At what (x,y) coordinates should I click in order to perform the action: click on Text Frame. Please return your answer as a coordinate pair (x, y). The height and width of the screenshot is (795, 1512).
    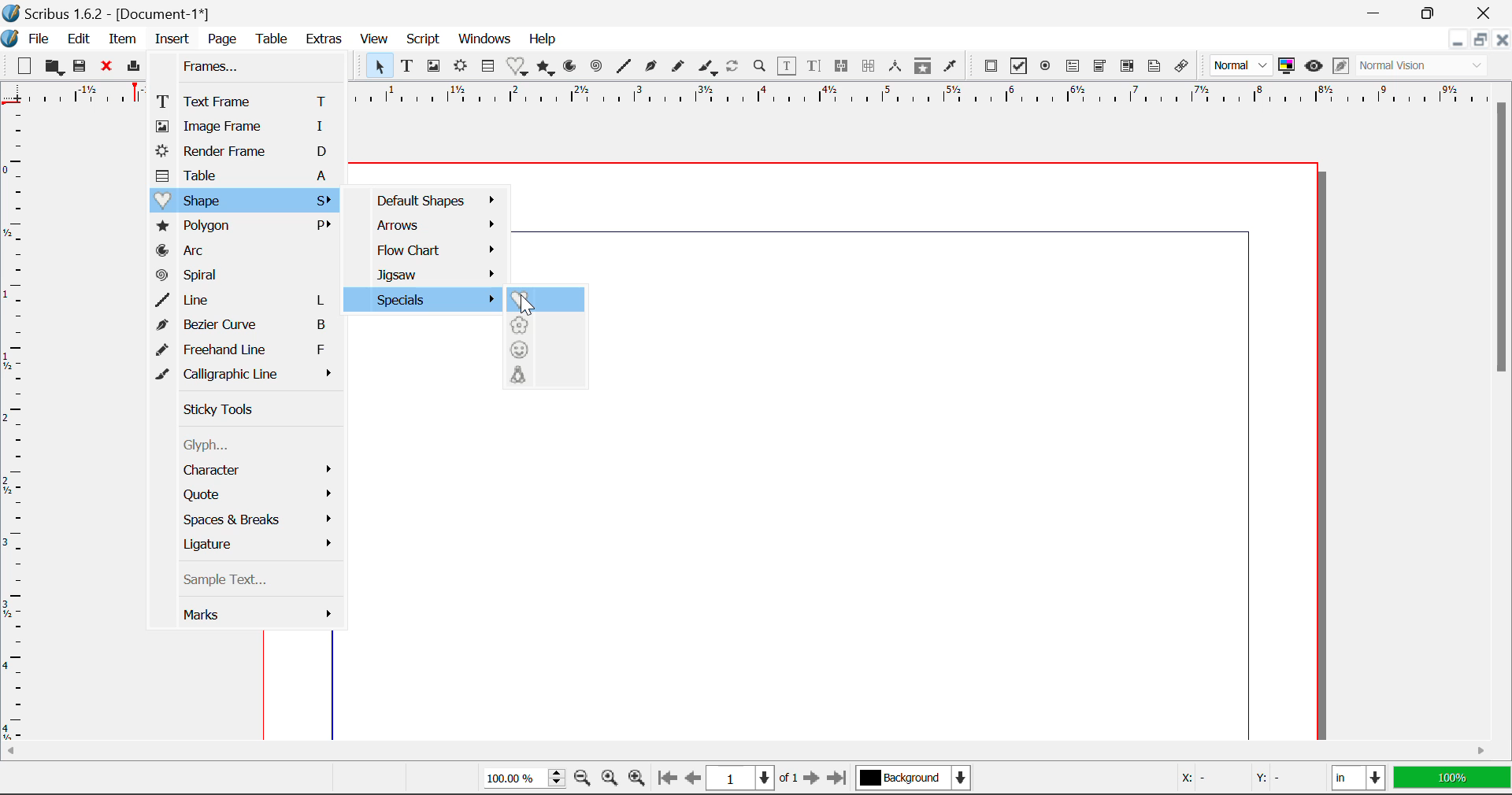
    Looking at the image, I should click on (245, 101).